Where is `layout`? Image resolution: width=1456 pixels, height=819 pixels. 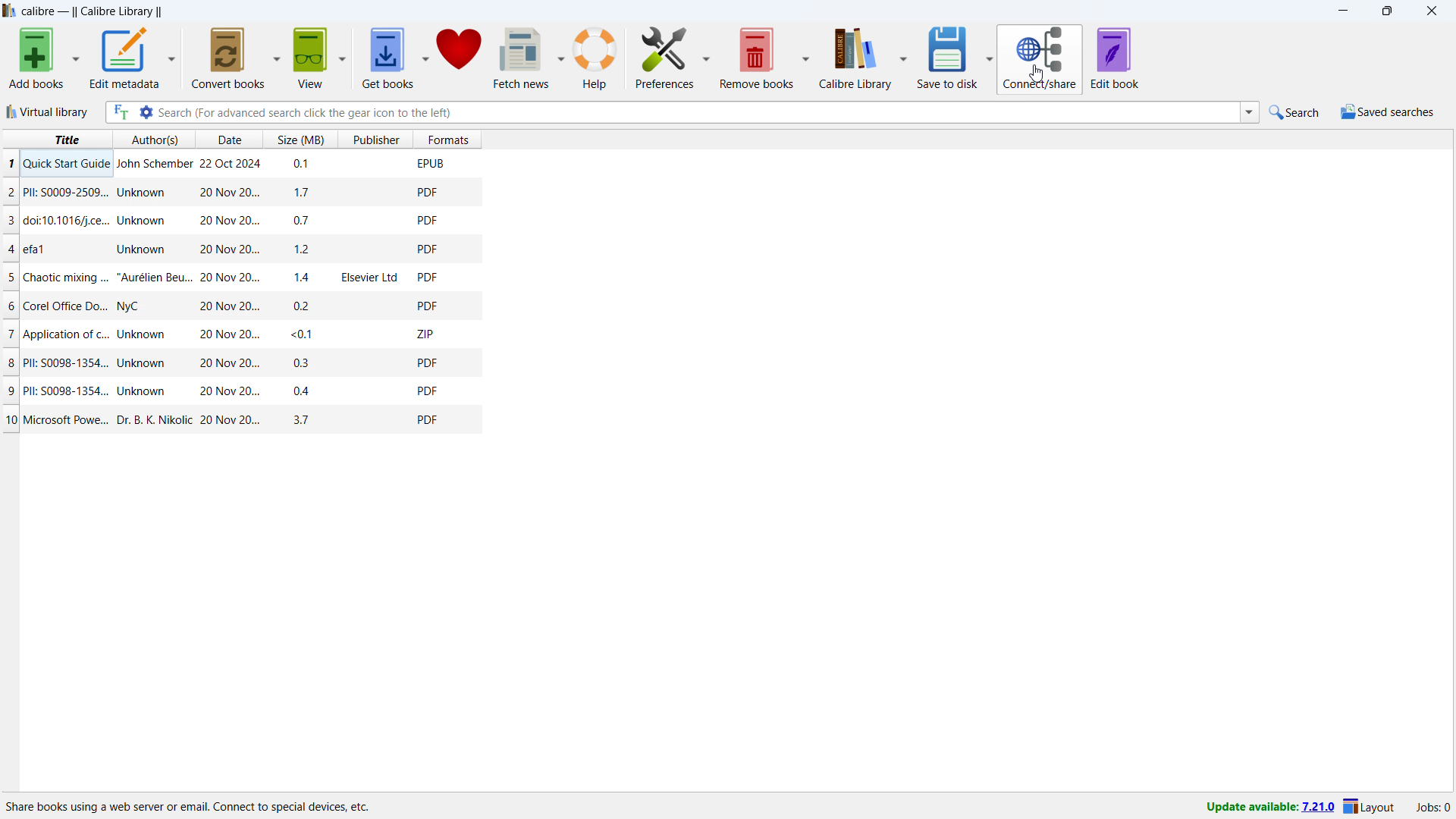 layout is located at coordinates (1371, 808).